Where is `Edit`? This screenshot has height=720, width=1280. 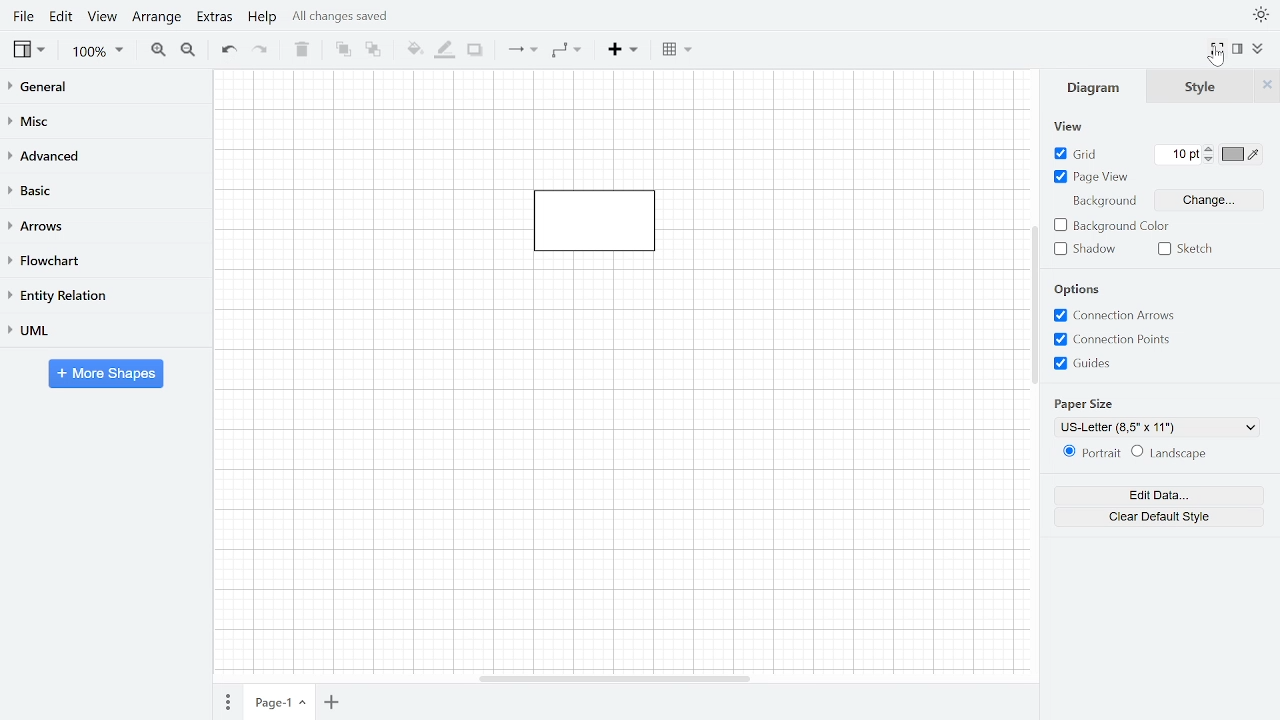 Edit is located at coordinates (63, 18).